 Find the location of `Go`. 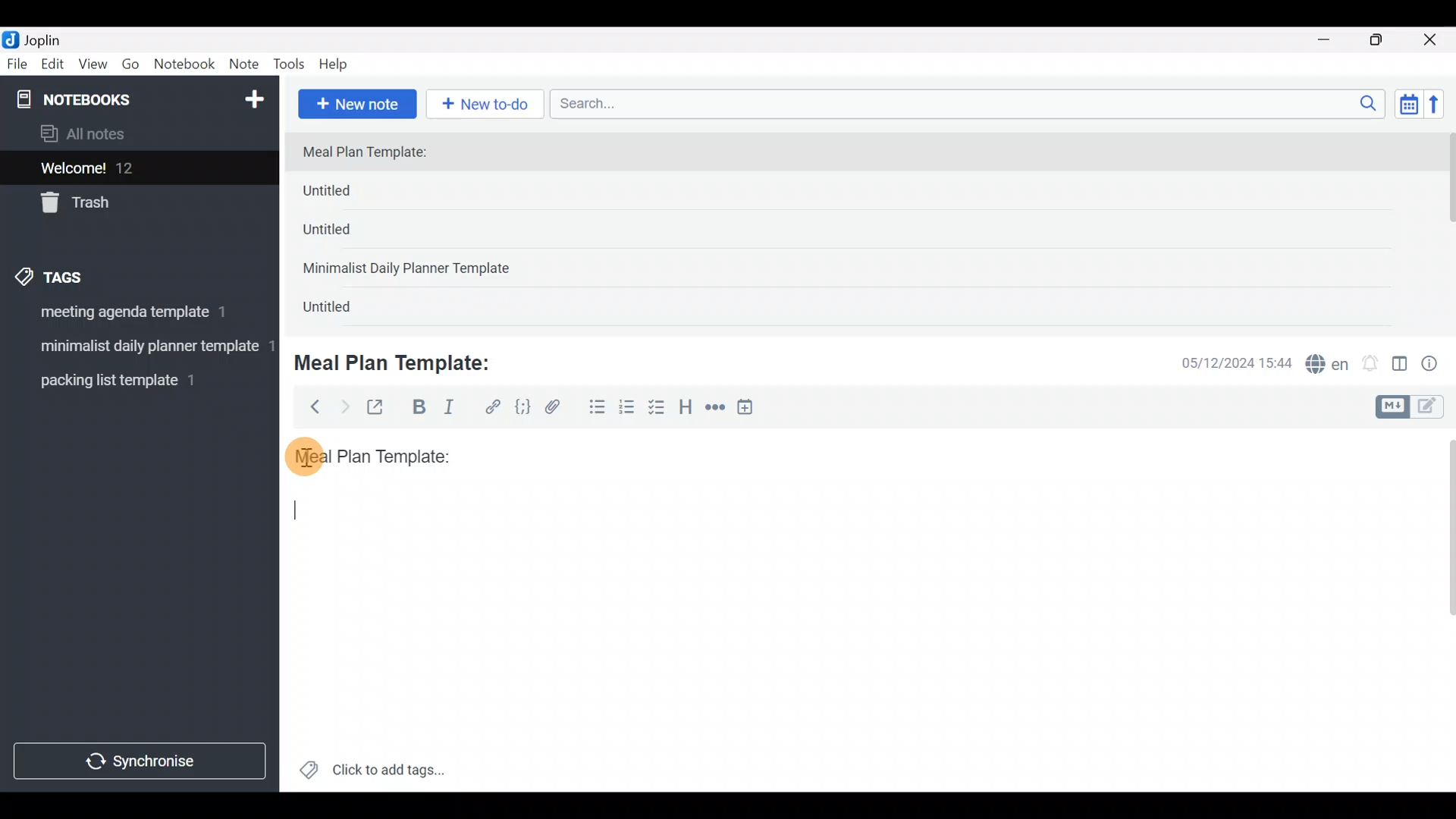

Go is located at coordinates (130, 67).